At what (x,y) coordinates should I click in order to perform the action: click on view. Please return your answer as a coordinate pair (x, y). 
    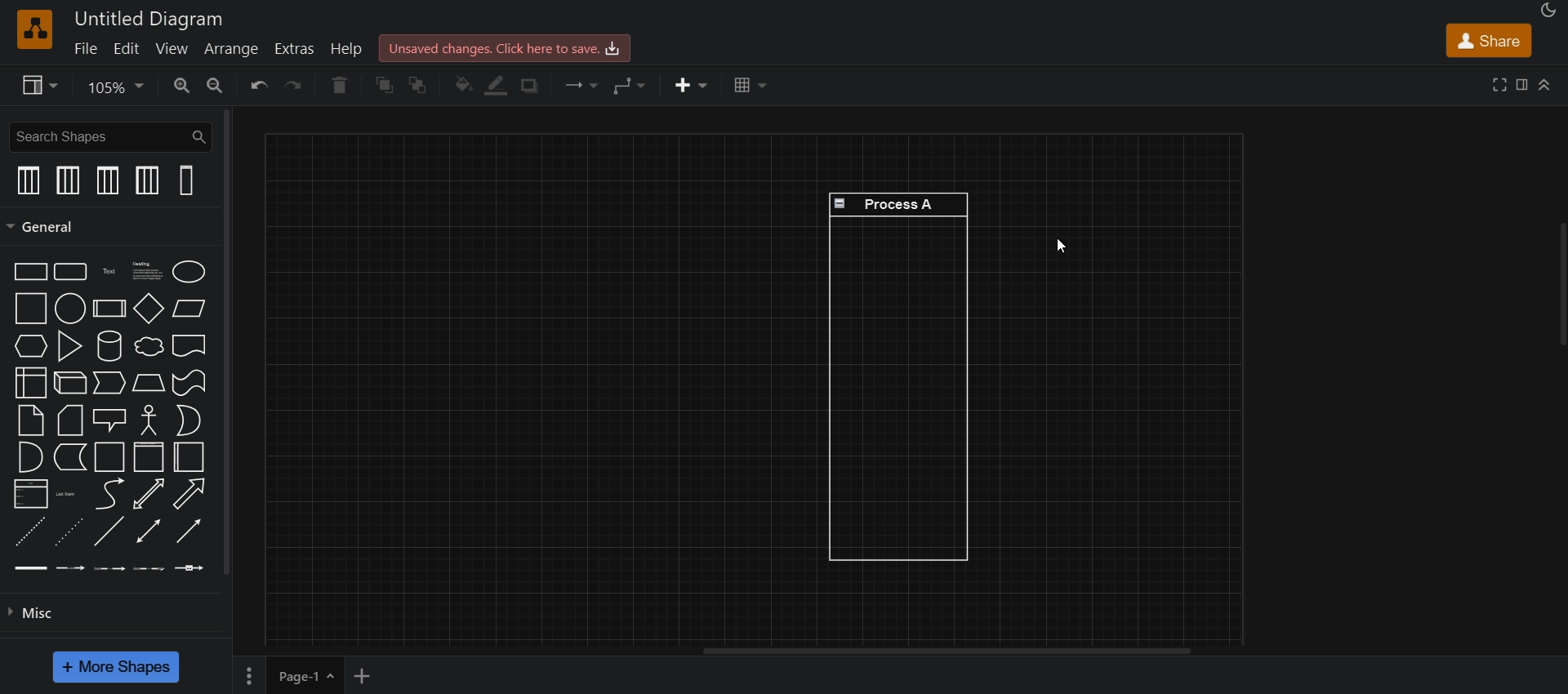
    Looking at the image, I should click on (41, 87).